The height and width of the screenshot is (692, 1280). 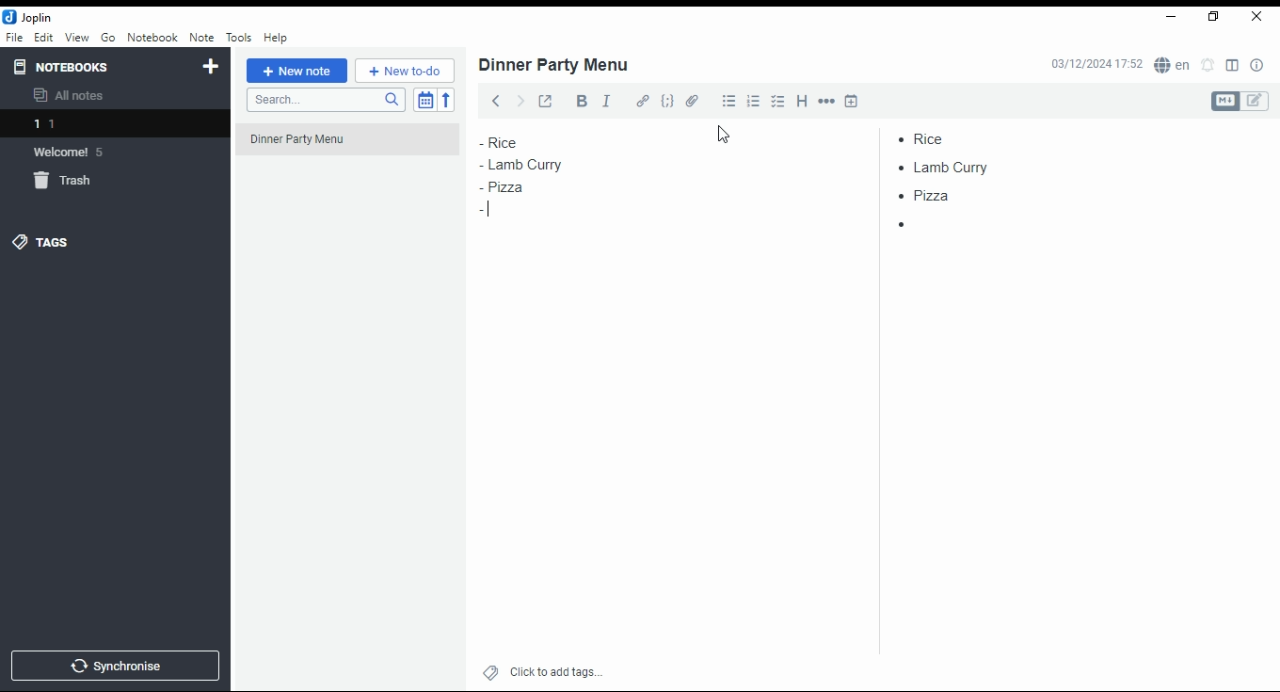 What do you see at coordinates (555, 65) in the screenshot?
I see `dinner party menu` at bounding box center [555, 65].